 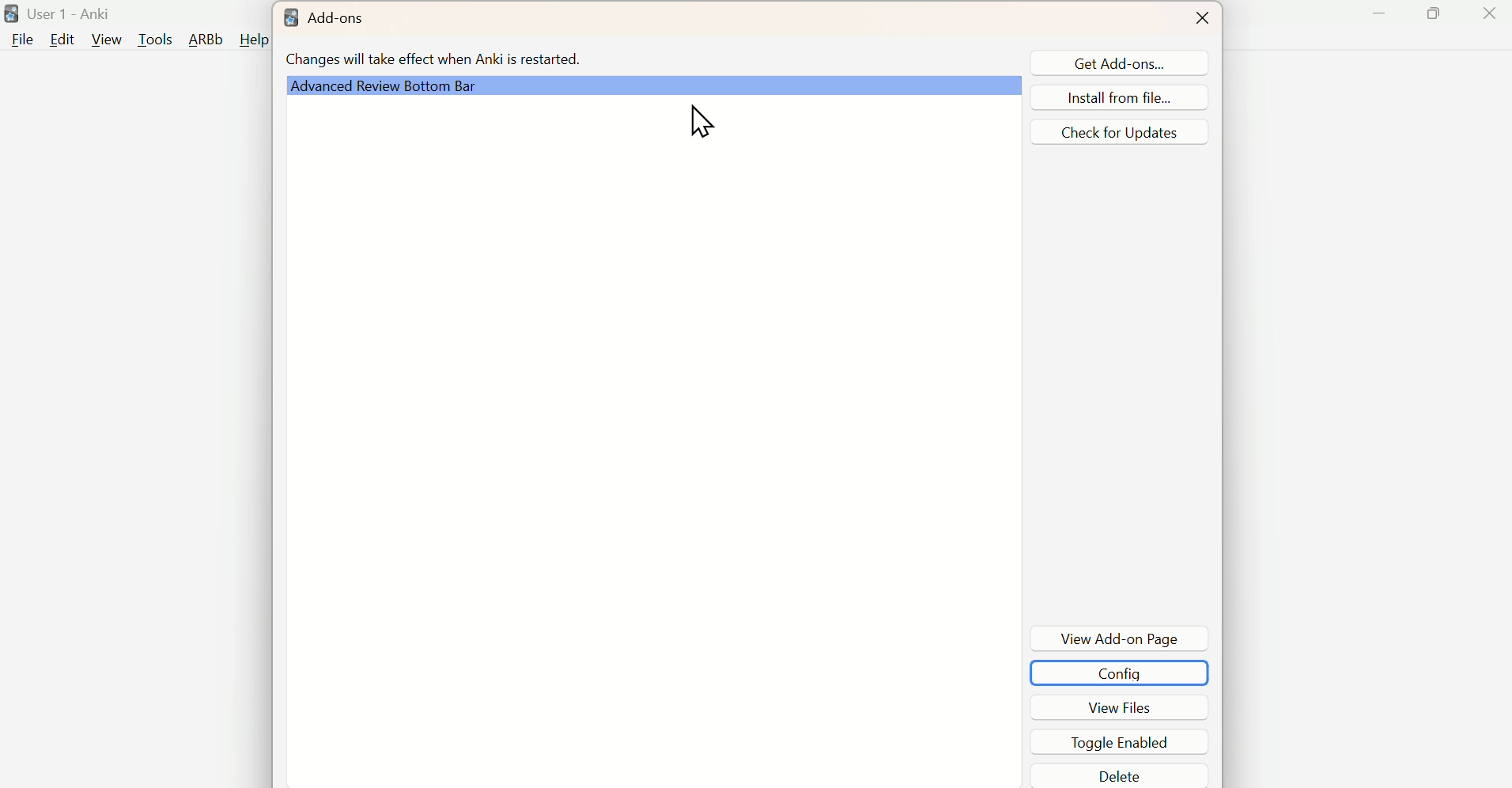 What do you see at coordinates (1211, 19) in the screenshot?
I see `Close` at bounding box center [1211, 19].